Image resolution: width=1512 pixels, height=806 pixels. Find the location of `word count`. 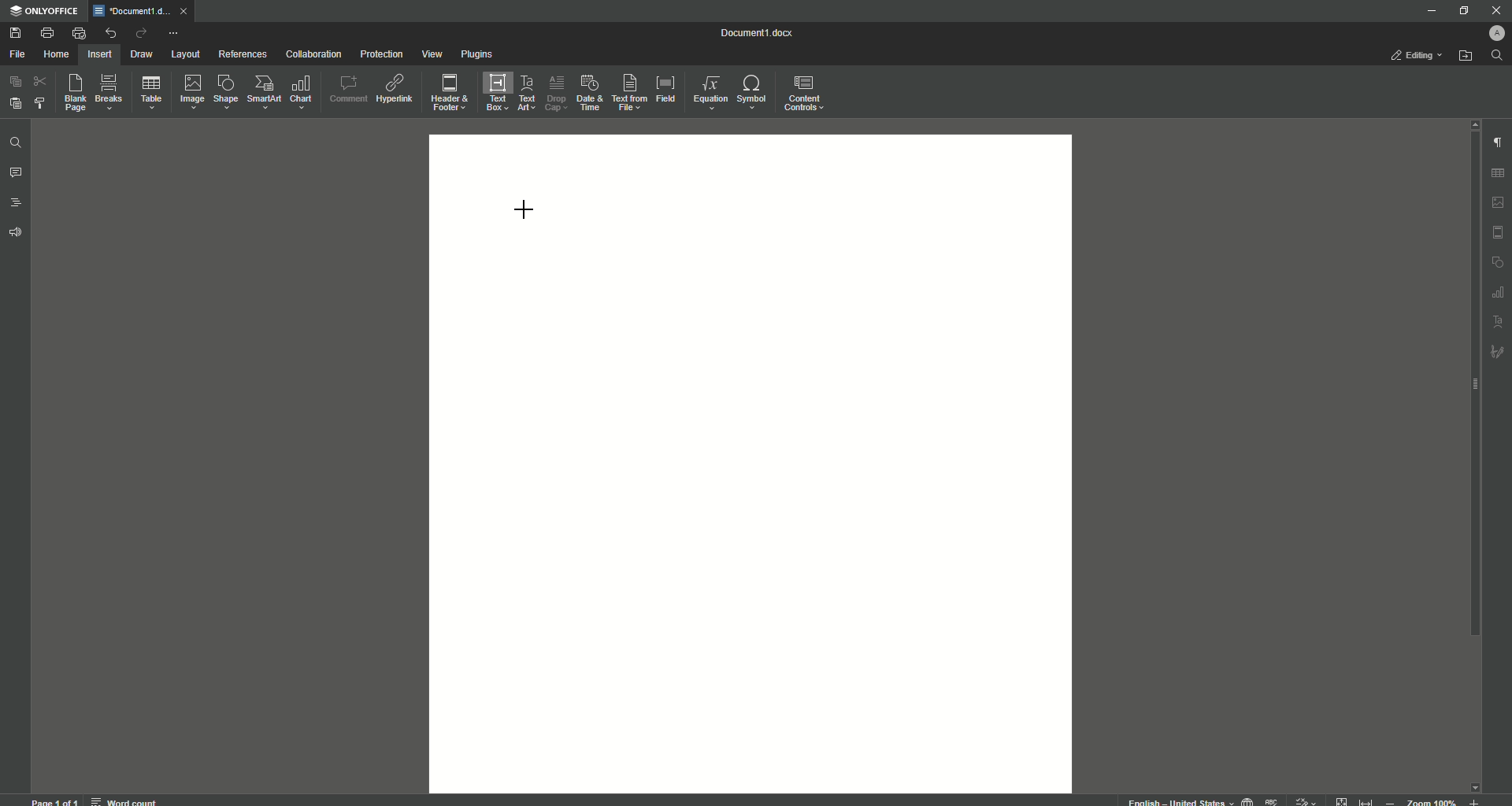

word count is located at coordinates (123, 799).